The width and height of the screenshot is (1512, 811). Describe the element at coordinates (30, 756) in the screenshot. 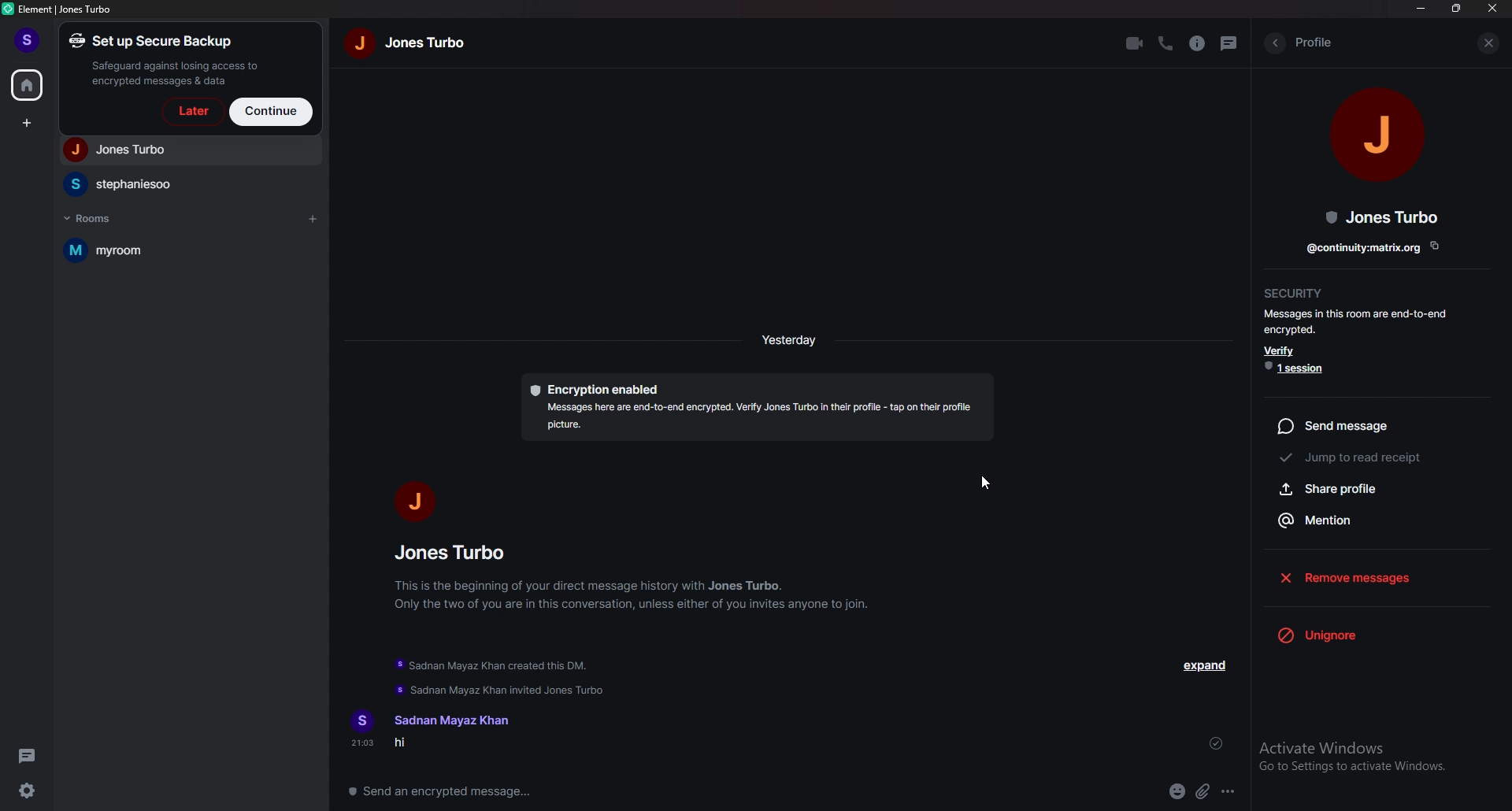

I see `threads` at that location.